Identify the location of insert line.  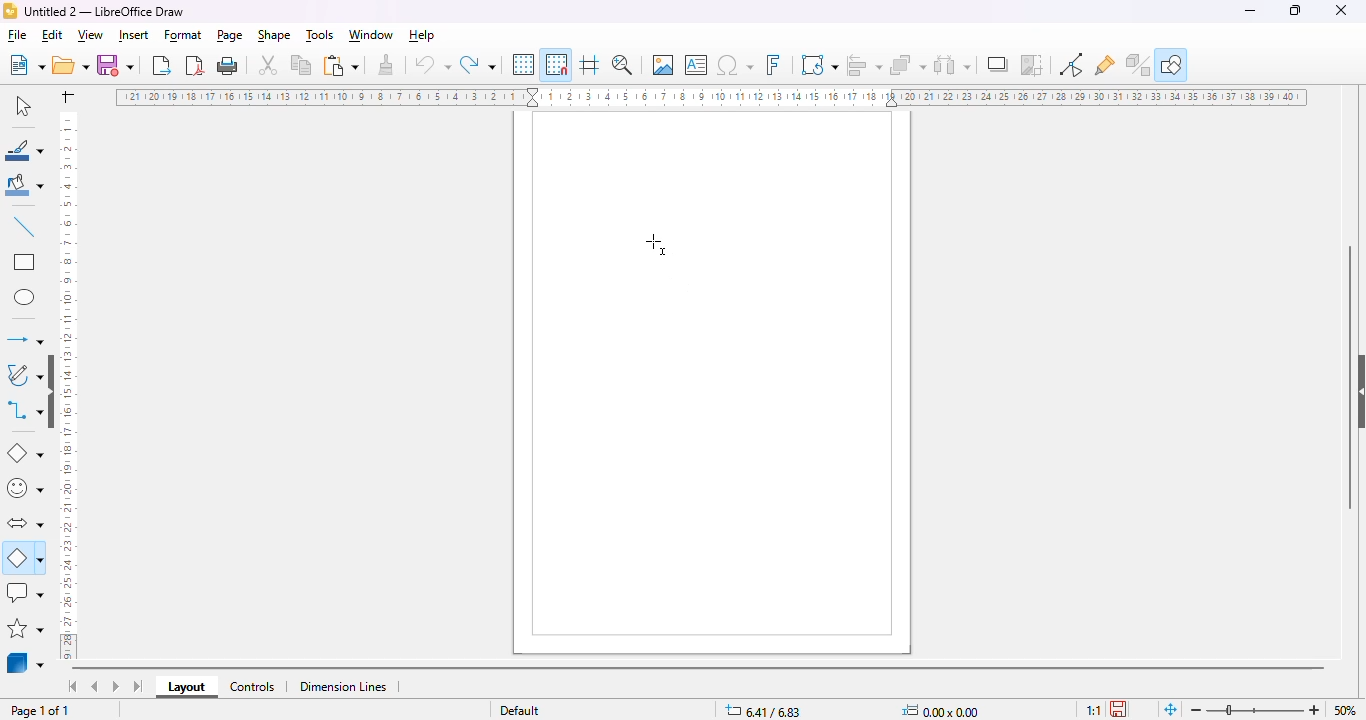
(25, 227).